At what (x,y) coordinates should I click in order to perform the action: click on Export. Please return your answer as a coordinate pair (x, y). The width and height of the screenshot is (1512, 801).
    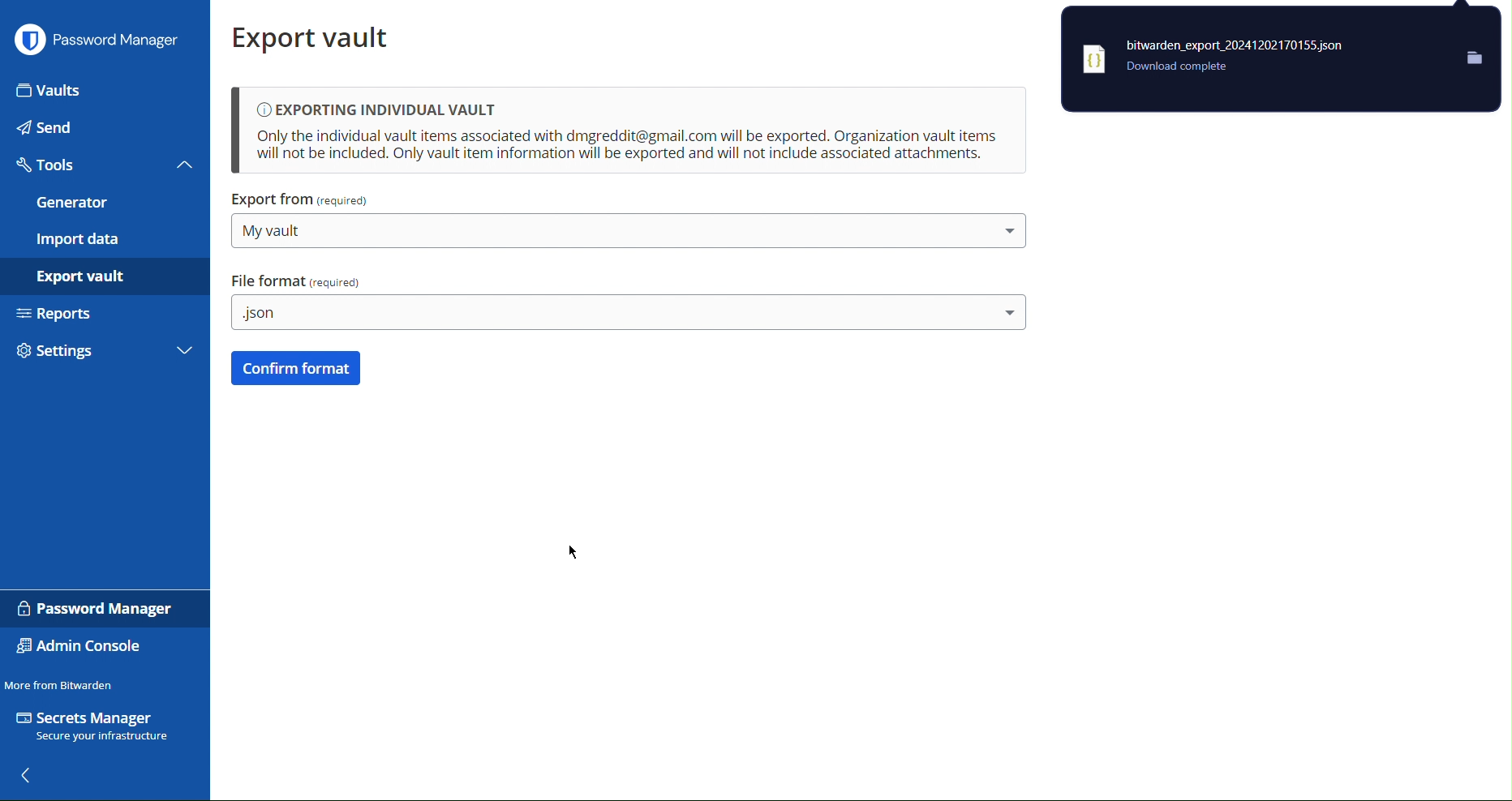
    Looking at the image, I should click on (85, 275).